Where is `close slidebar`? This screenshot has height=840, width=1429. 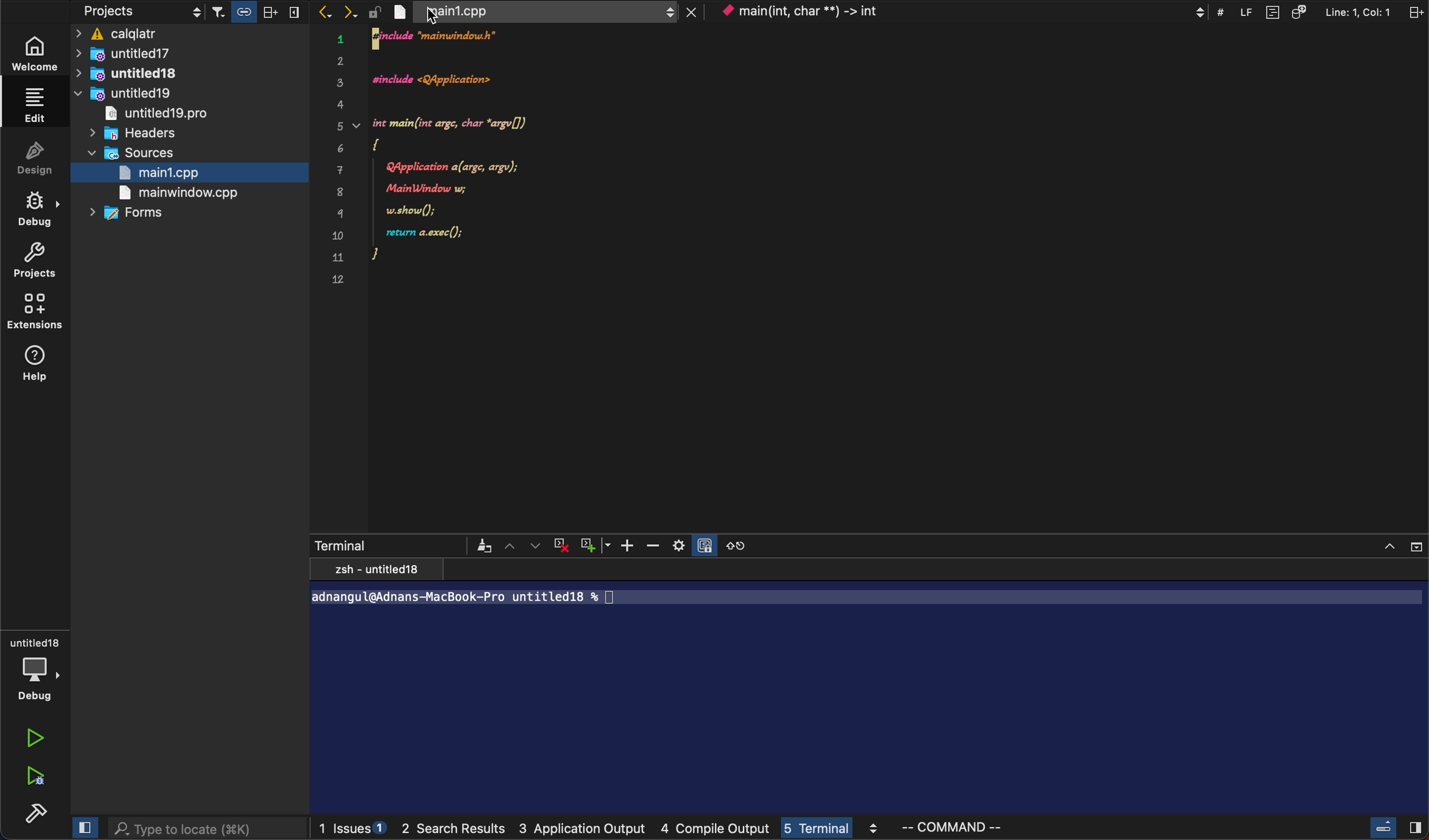
close slidebar is located at coordinates (84, 829).